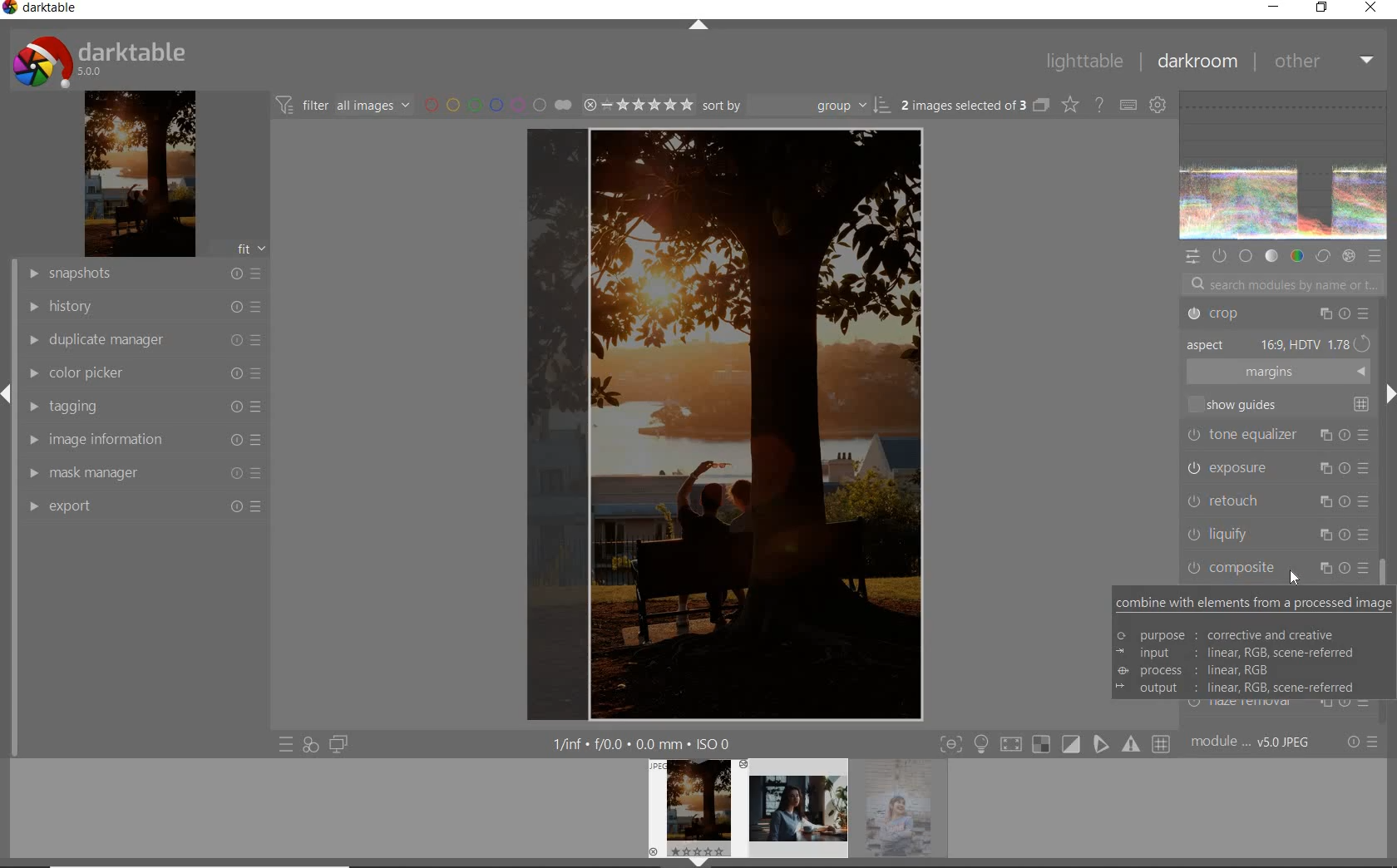  What do you see at coordinates (338, 746) in the screenshot?
I see `display a second darkroom image window` at bounding box center [338, 746].